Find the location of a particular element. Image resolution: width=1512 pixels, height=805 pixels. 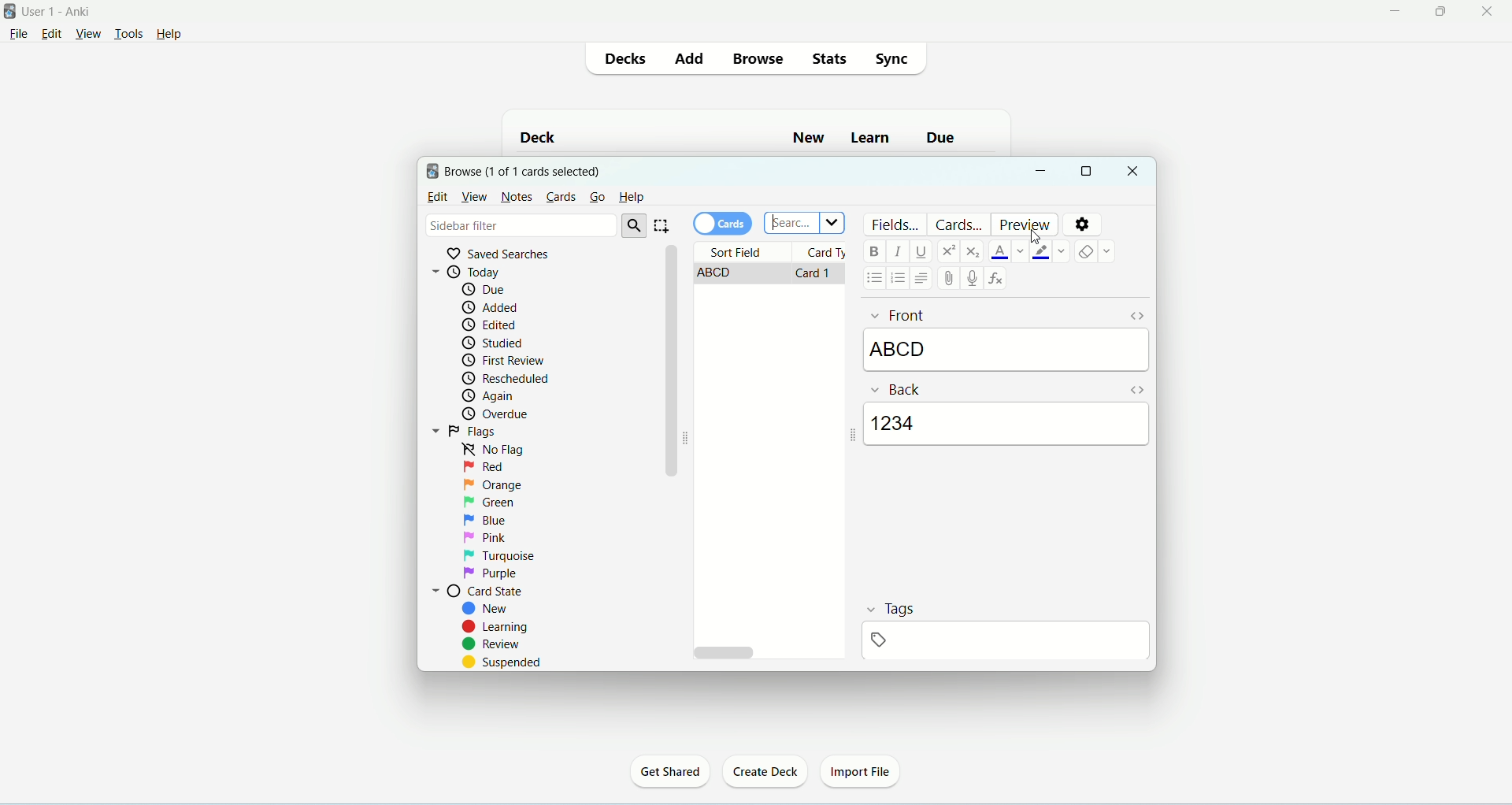

go is located at coordinates (596, 198).